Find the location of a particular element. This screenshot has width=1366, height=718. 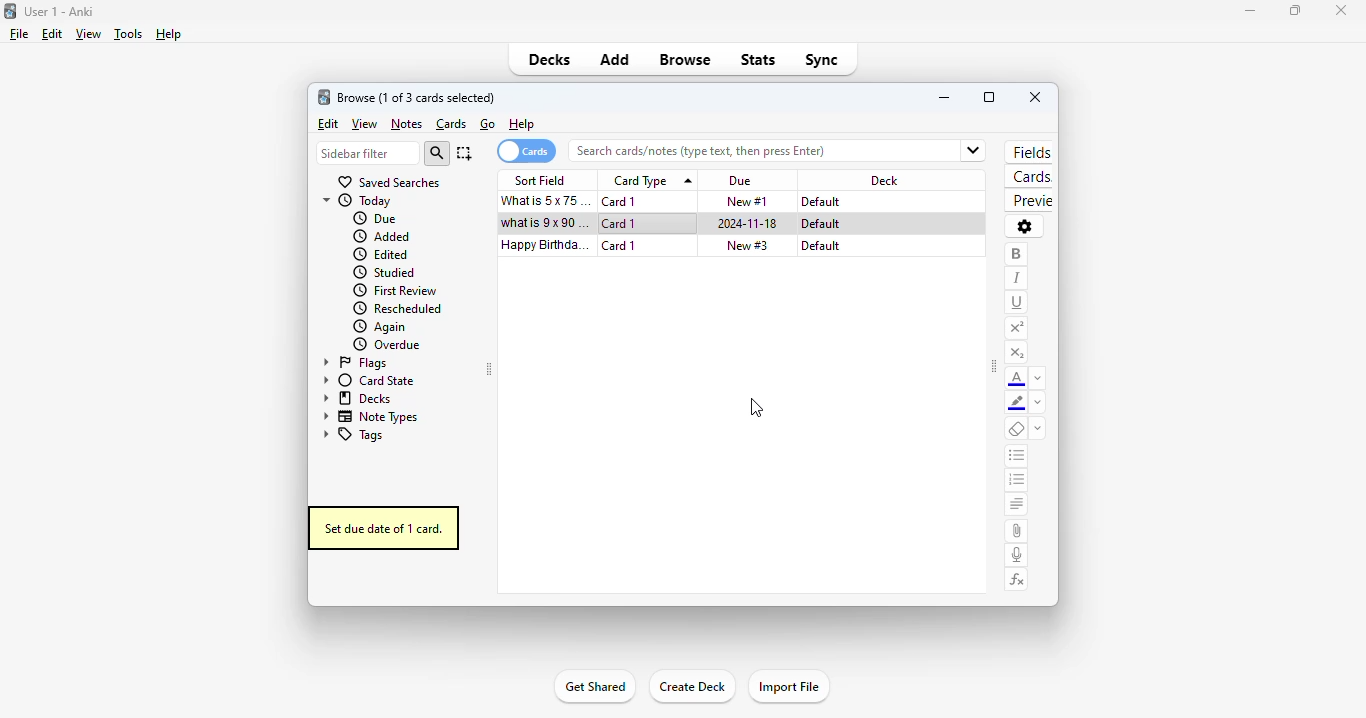

search bar is located at coordinates (754, 151).